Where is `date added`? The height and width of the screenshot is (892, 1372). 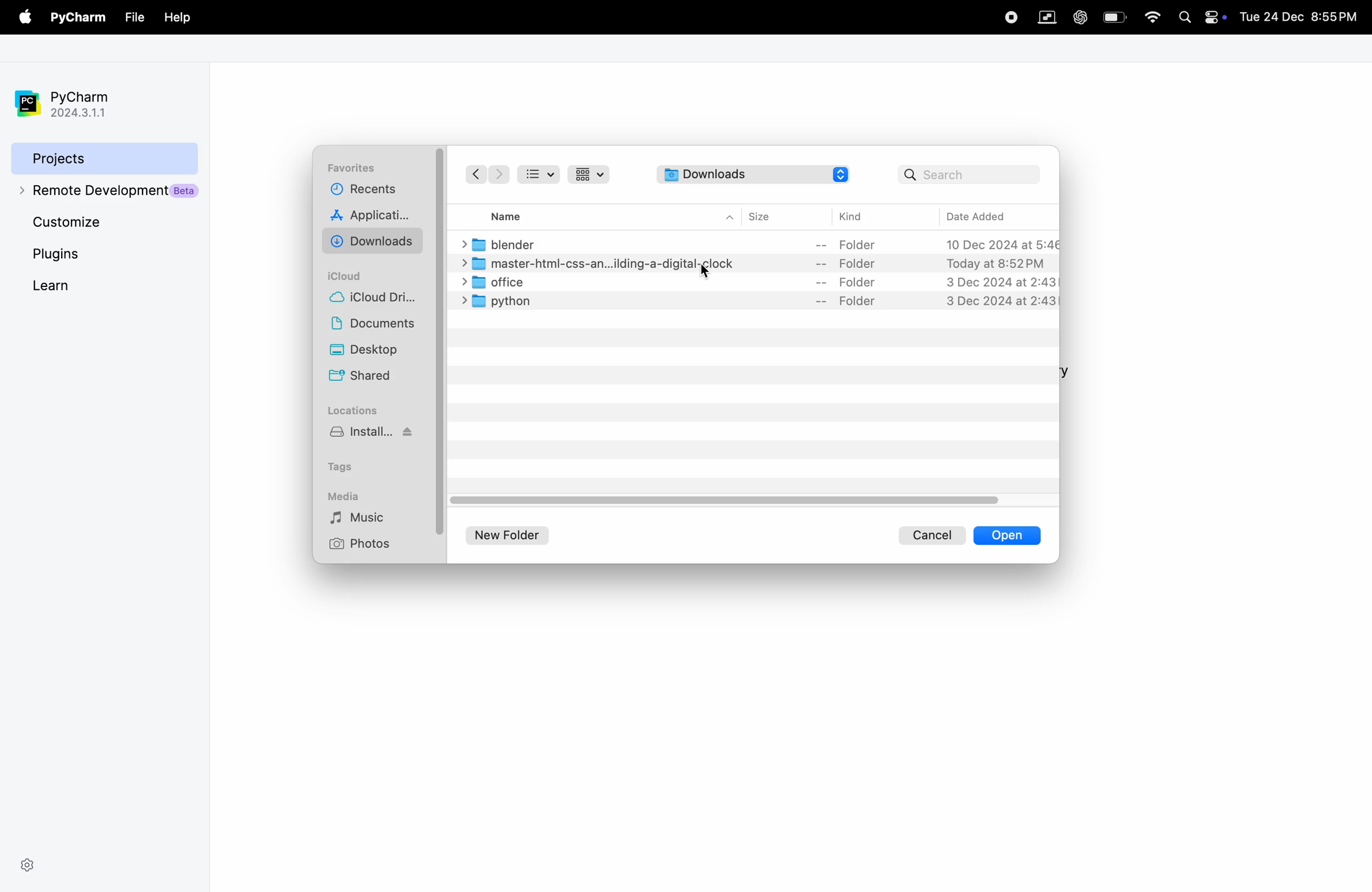
date added is located at coordinates (988, 216).